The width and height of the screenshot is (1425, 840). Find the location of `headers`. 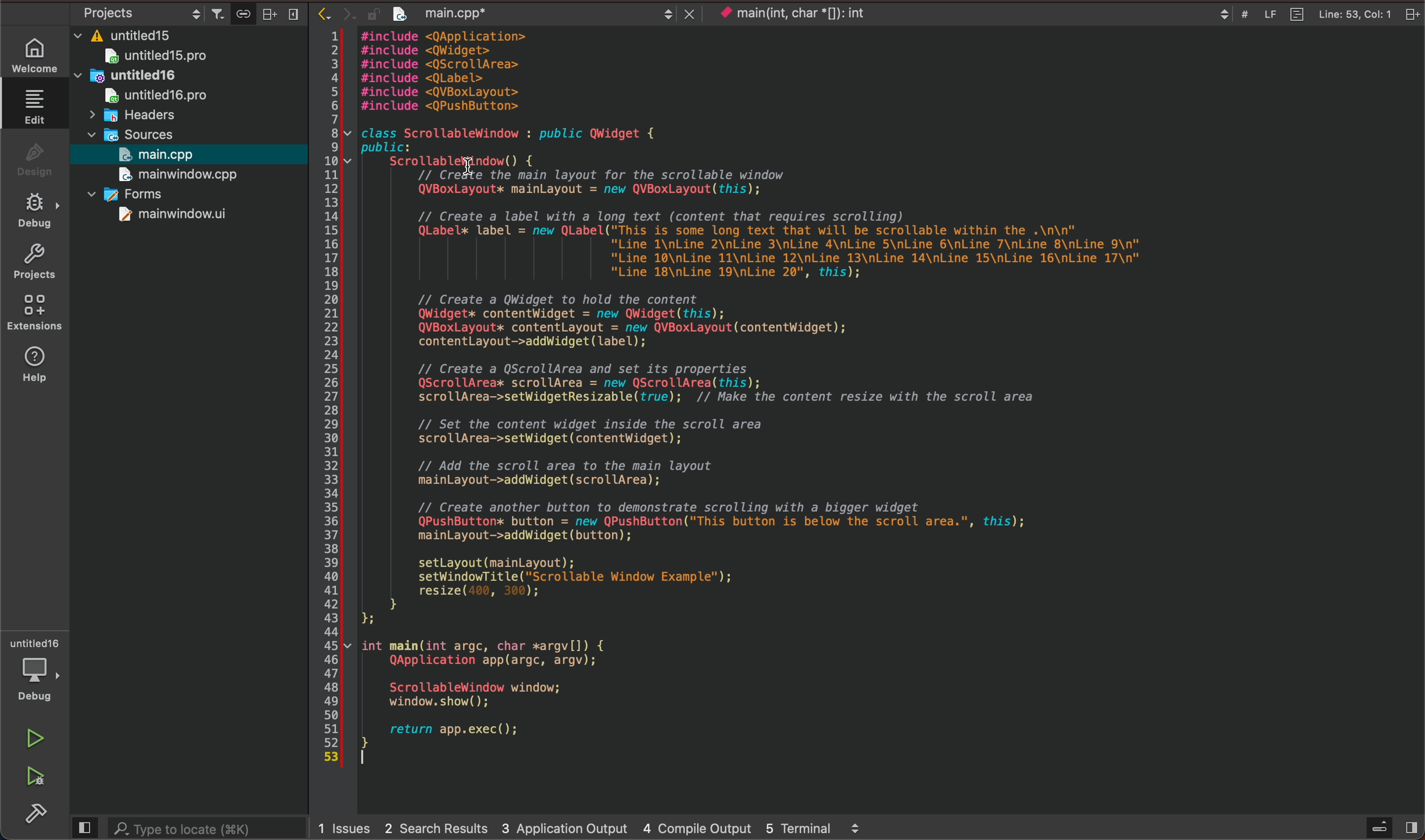

headers is located at coordinates (131, 115).